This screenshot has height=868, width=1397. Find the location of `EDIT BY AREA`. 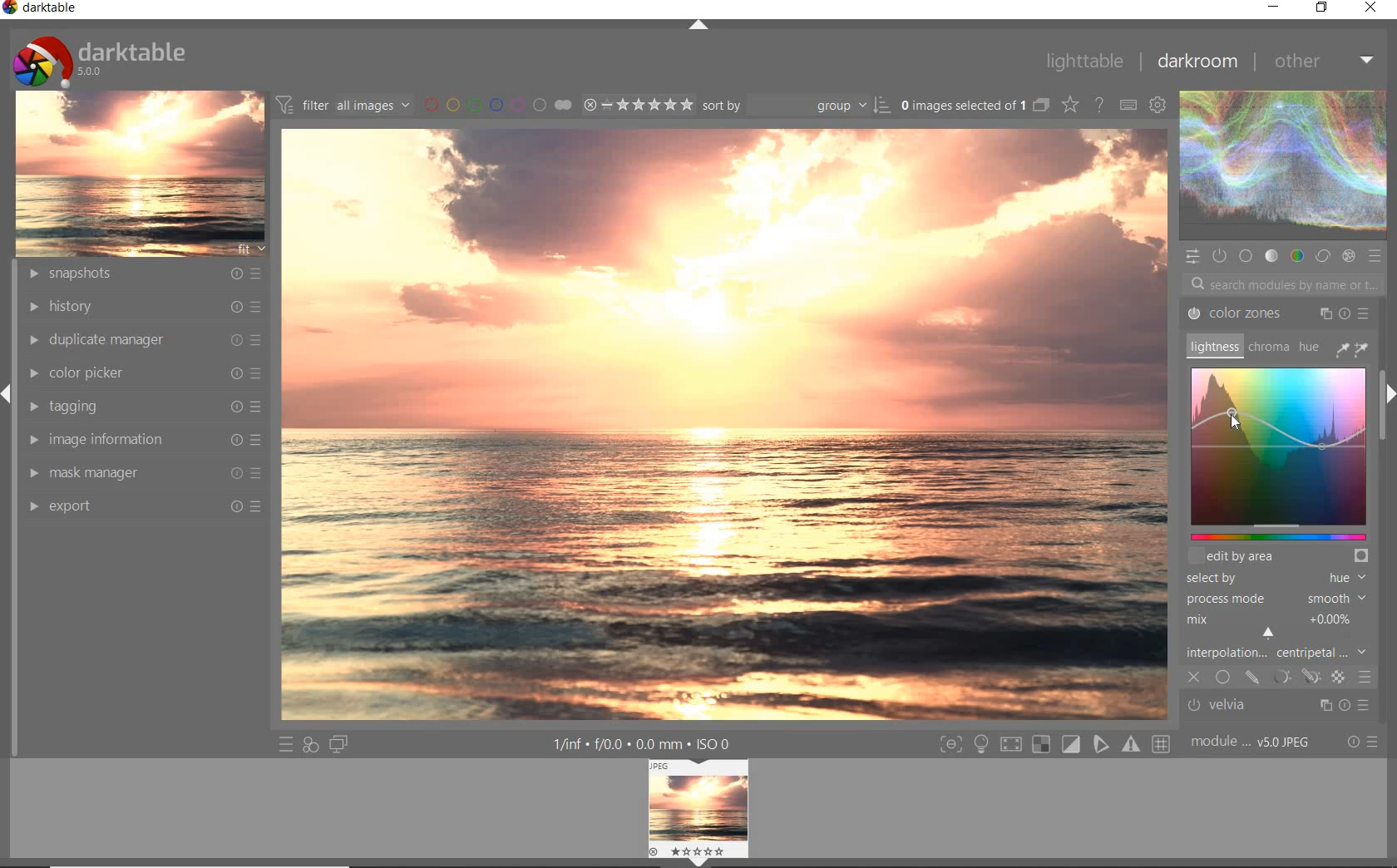

EDIT BY AREA is located at coordinates (1281, 555).